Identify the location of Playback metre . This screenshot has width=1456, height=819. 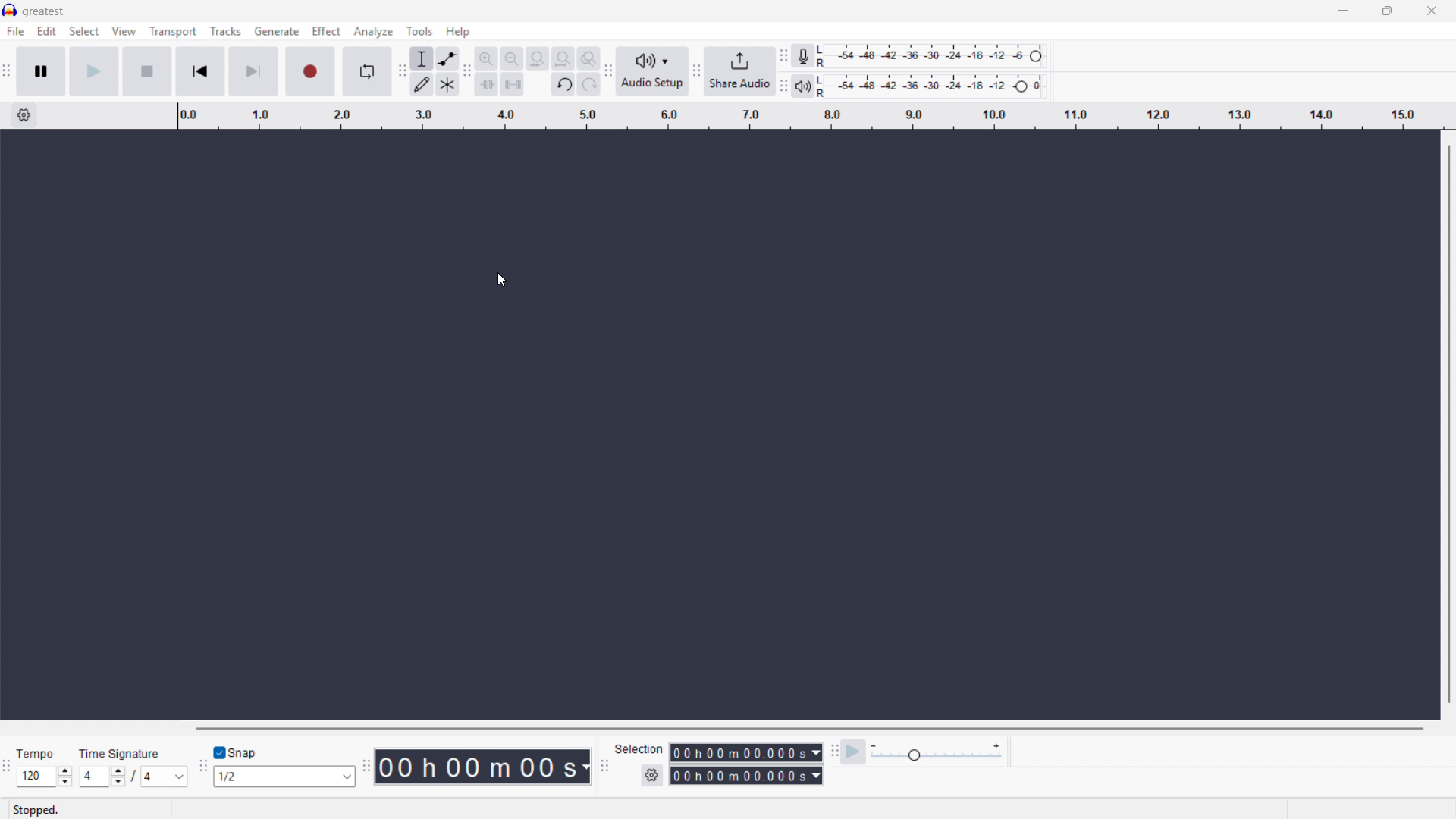
(803, 86).